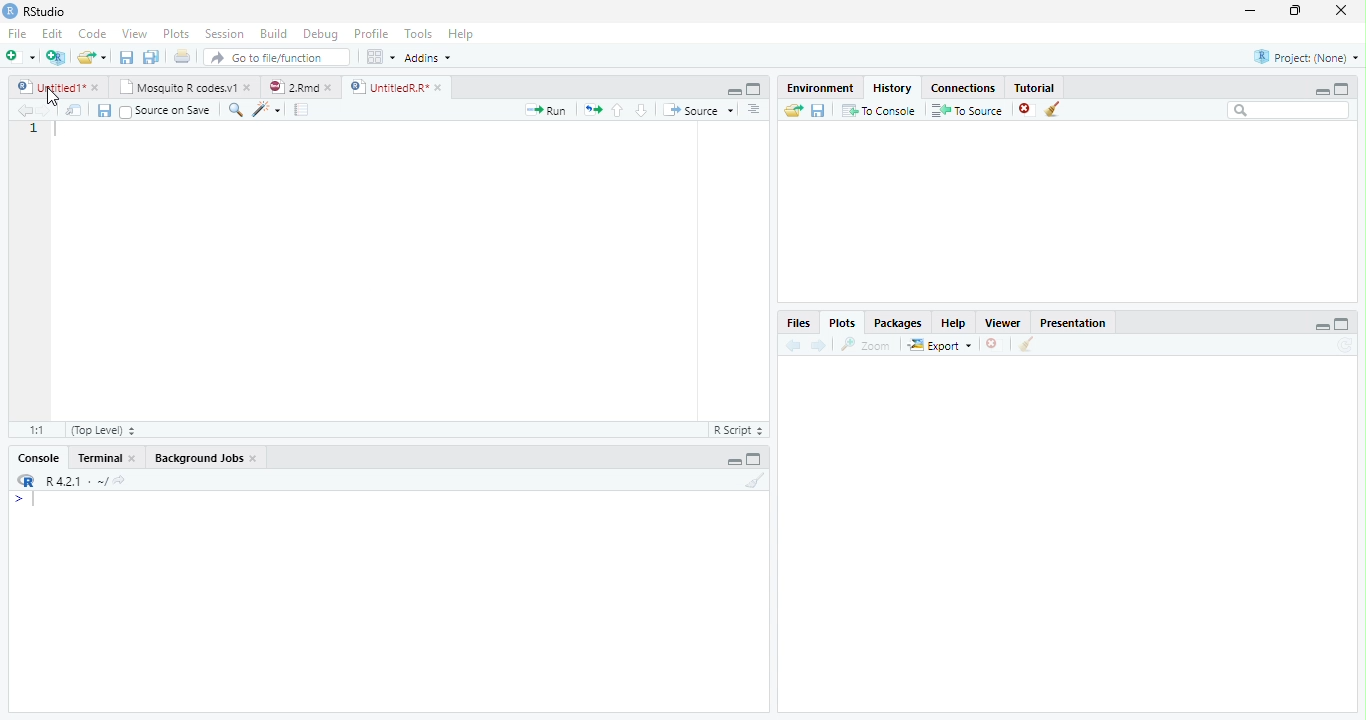 This screenshot has height=720, width=1366. I want to click on ' RStudio, so click(34, 12).